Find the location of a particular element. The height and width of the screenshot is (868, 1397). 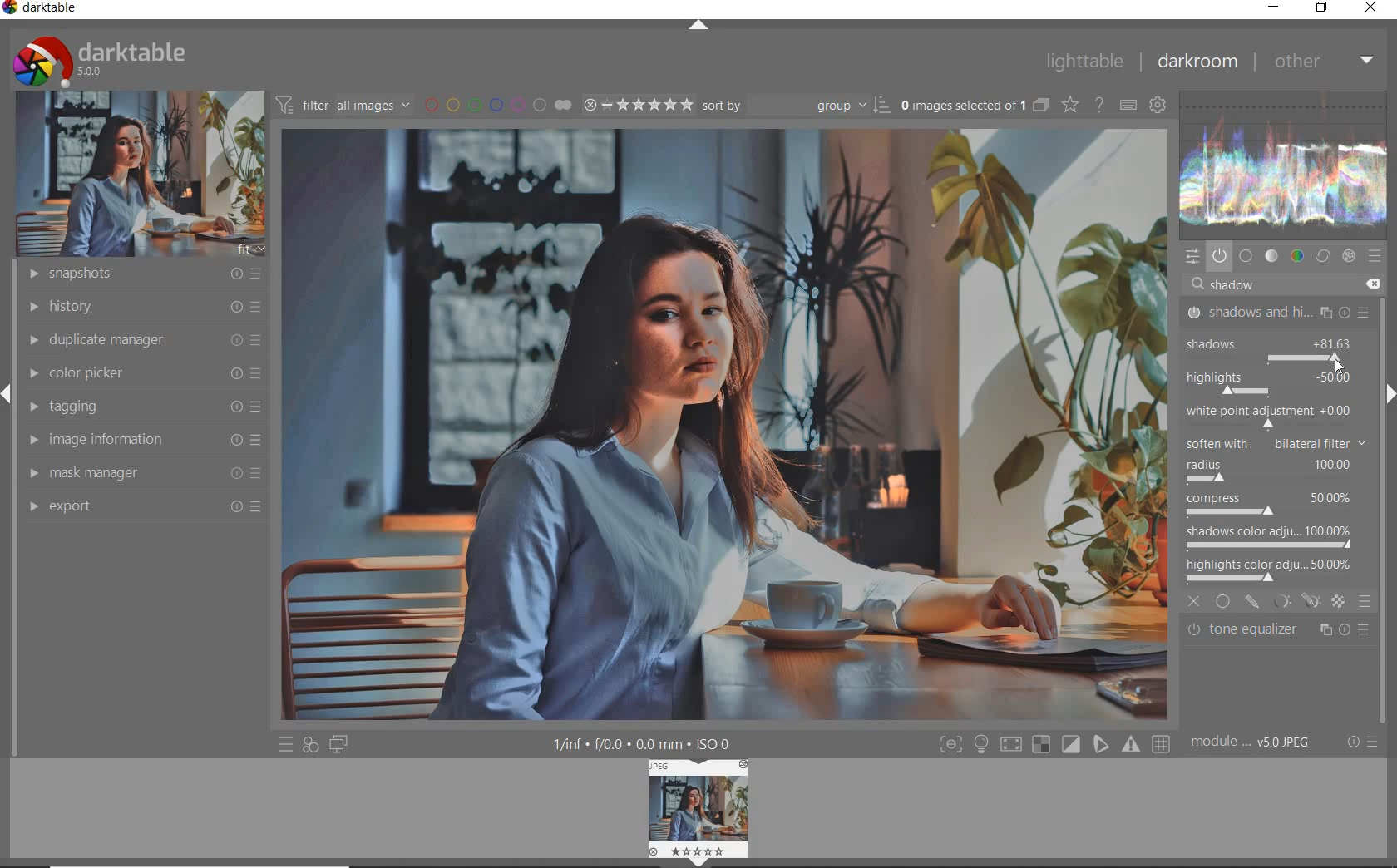

show only active modules is located at coordinates (1220, 255).